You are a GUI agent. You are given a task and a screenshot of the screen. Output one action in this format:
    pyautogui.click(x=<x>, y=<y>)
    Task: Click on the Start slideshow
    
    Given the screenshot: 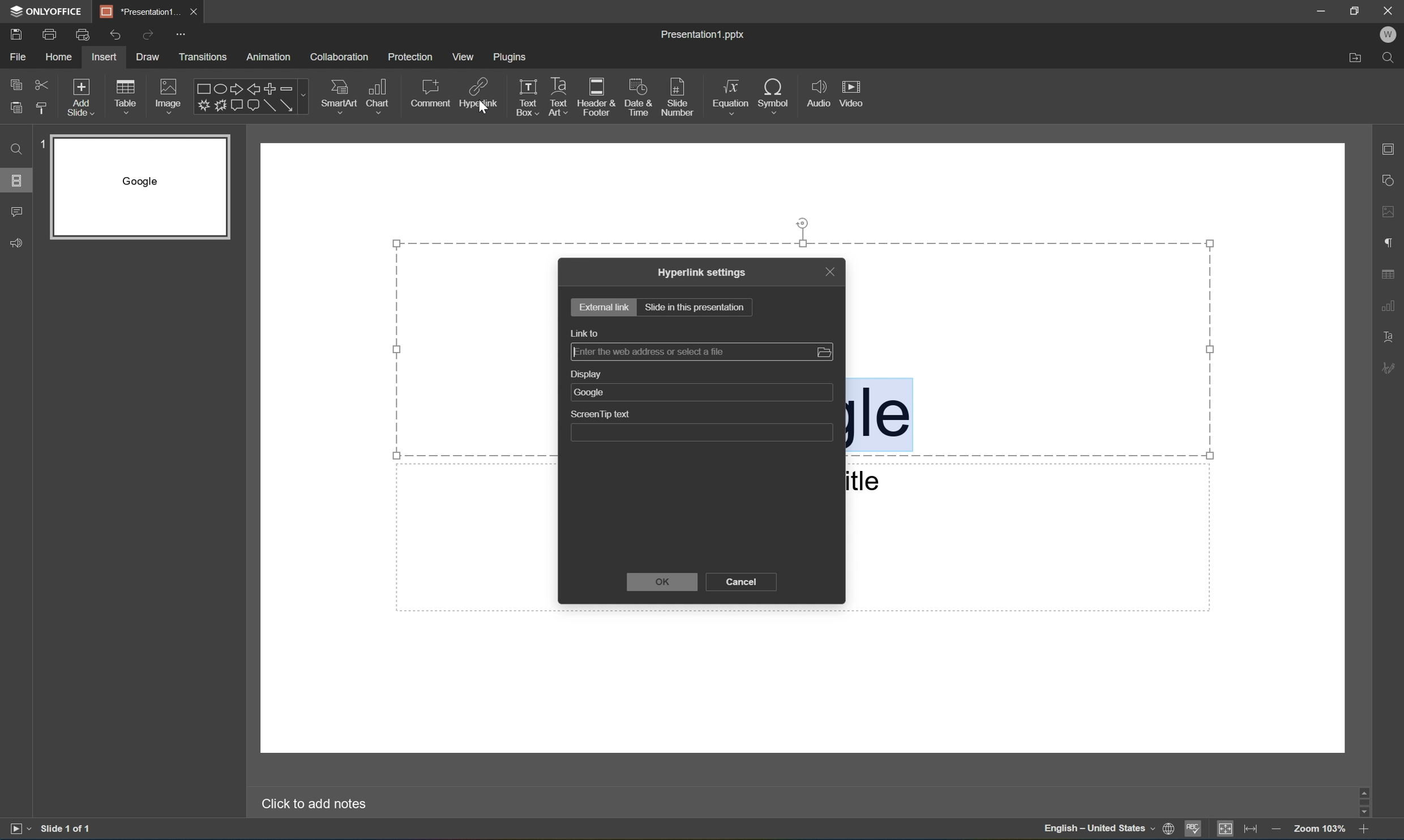 What is the action you would take?
    pyautogui.click(x=16, y=832)
    